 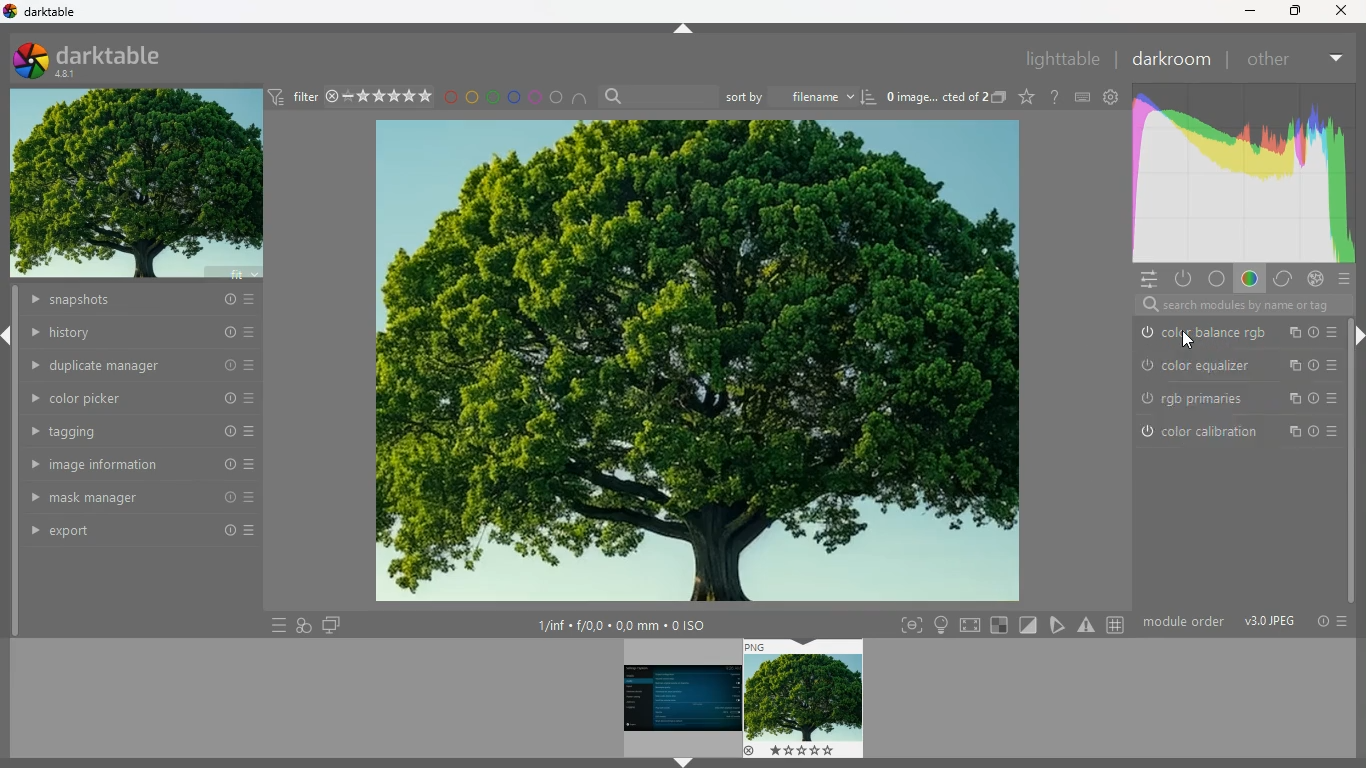 What do you see at coordinates (558, 98) in the screenshot?
I see `circle` at bounding box center [558, 98].